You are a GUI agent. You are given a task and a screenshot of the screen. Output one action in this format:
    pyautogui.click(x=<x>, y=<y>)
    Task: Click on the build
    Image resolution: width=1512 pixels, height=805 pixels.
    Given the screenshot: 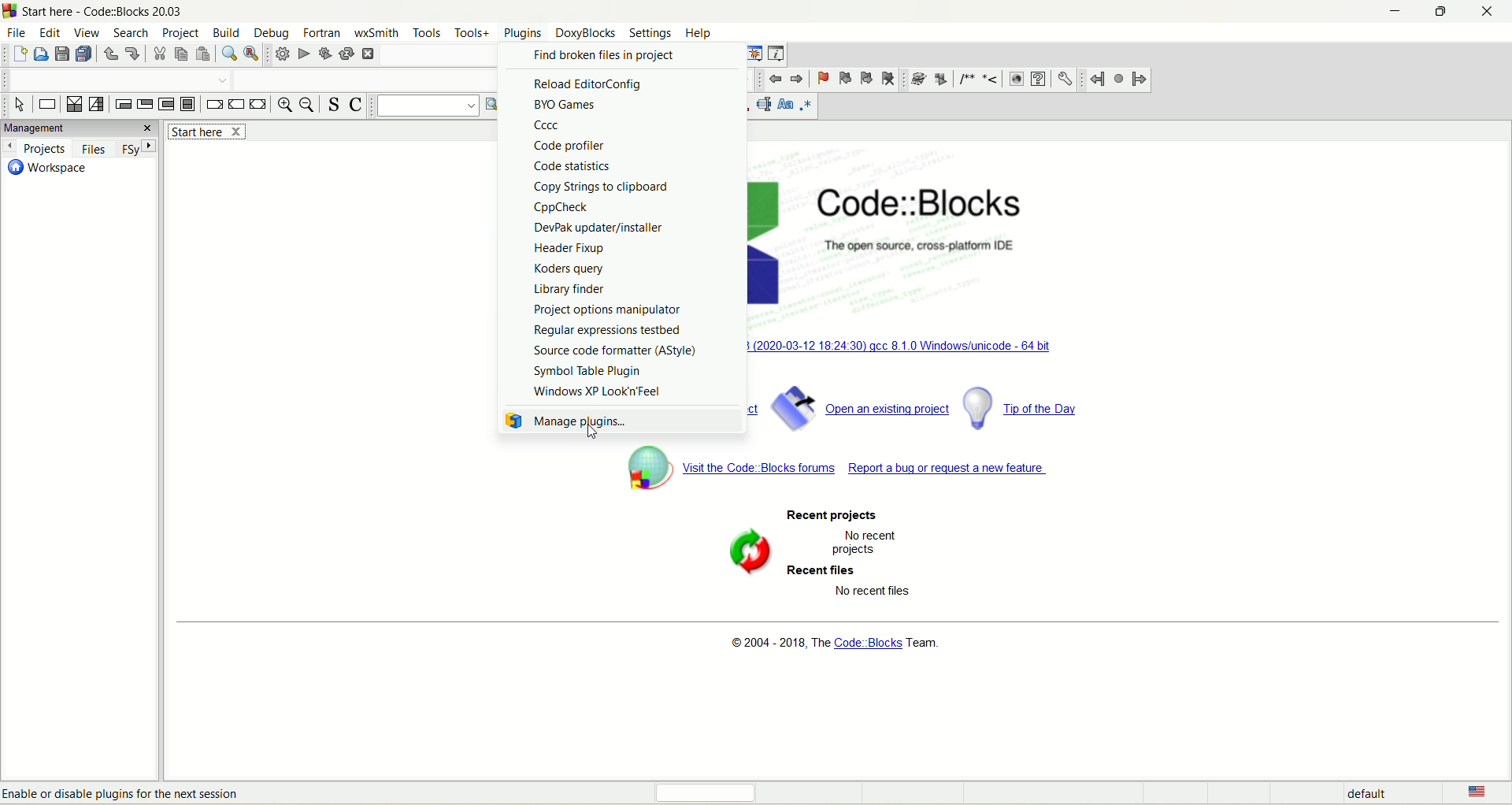 What is the action you would take?
    pyautogui.click(x=225, y=31)
    